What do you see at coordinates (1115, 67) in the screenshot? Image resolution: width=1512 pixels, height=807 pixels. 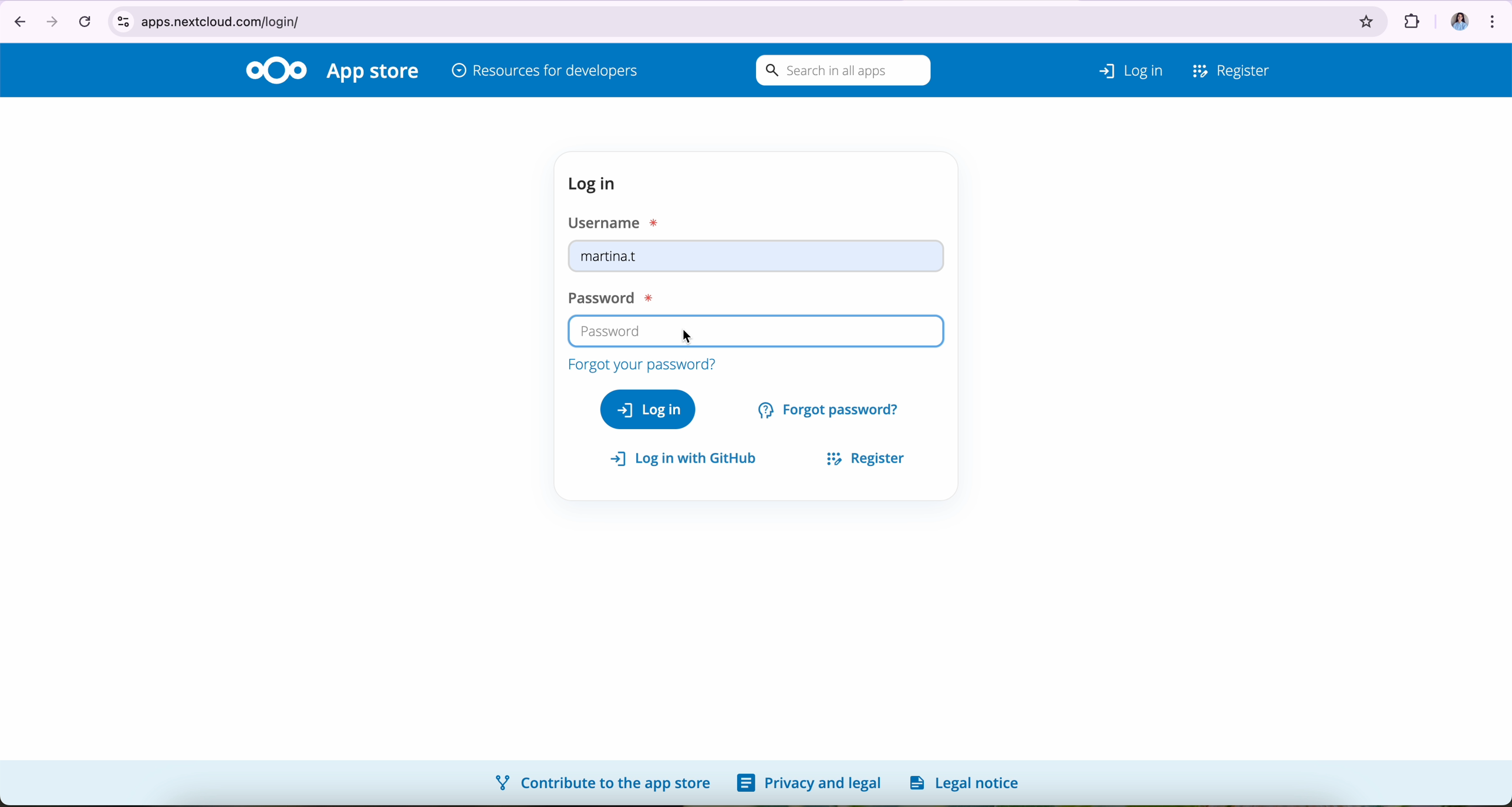 I see `Log in` at bounding box center [1115, 67].